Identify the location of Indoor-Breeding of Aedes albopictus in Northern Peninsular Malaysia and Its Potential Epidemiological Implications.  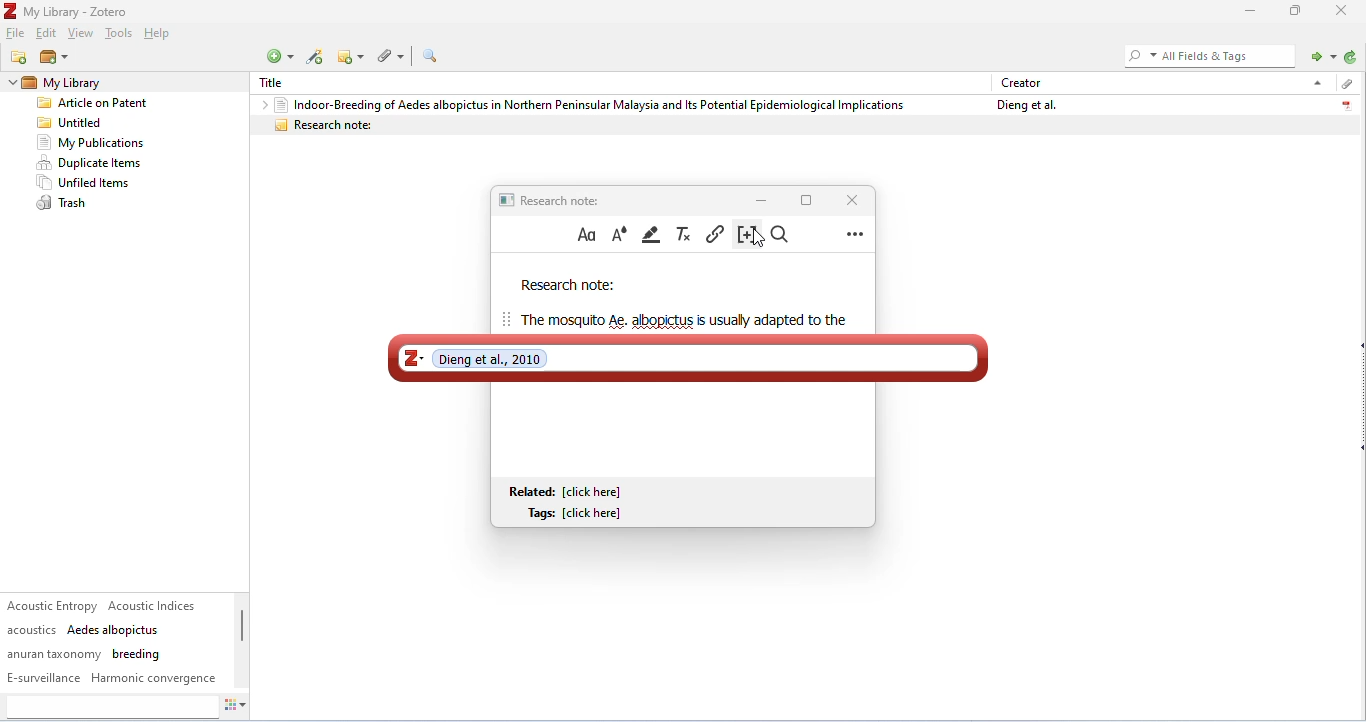
(589, 104).